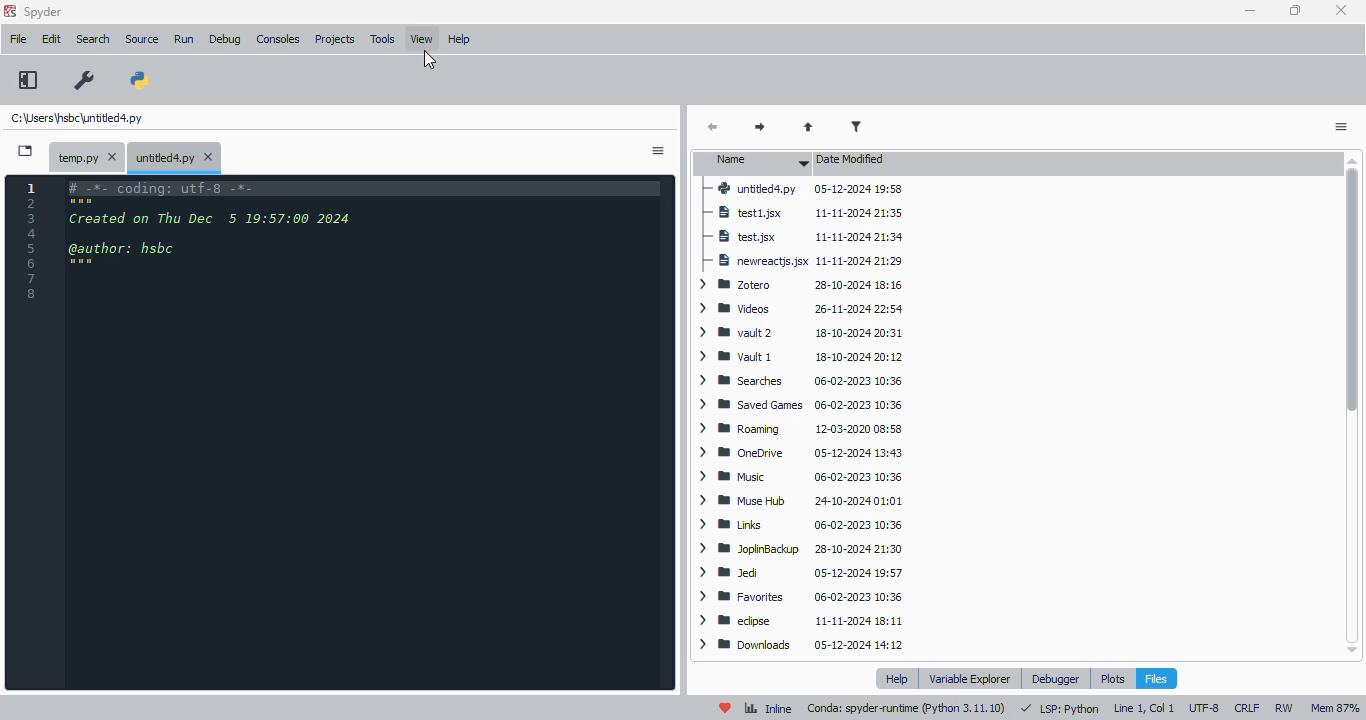 The image size is (1366, 720). Describe the element at coordinates (422, 39) in the screenshot. I see `view` at that location.